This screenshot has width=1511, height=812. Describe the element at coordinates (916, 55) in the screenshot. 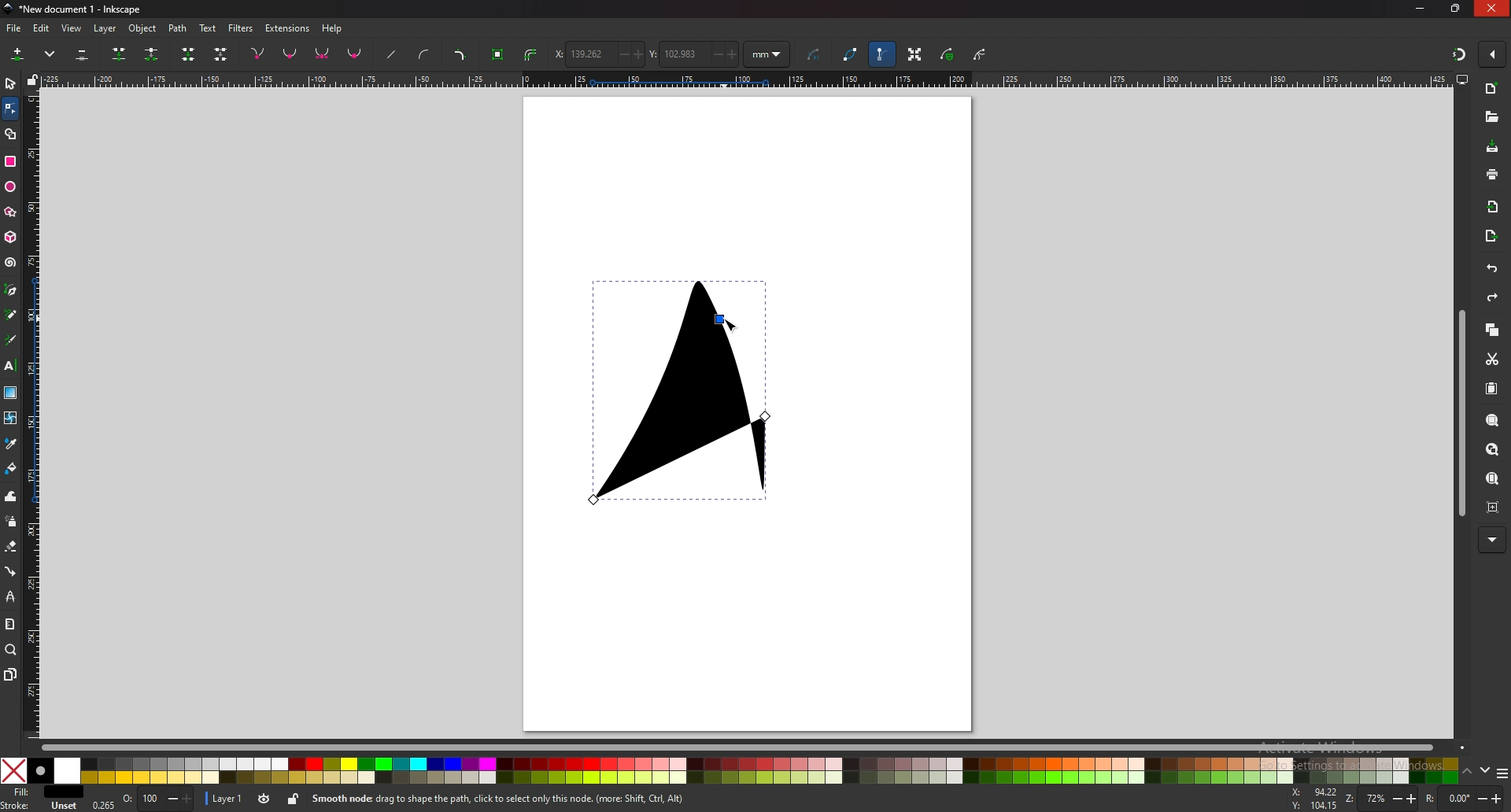

I see `show transformation handle` at that location.